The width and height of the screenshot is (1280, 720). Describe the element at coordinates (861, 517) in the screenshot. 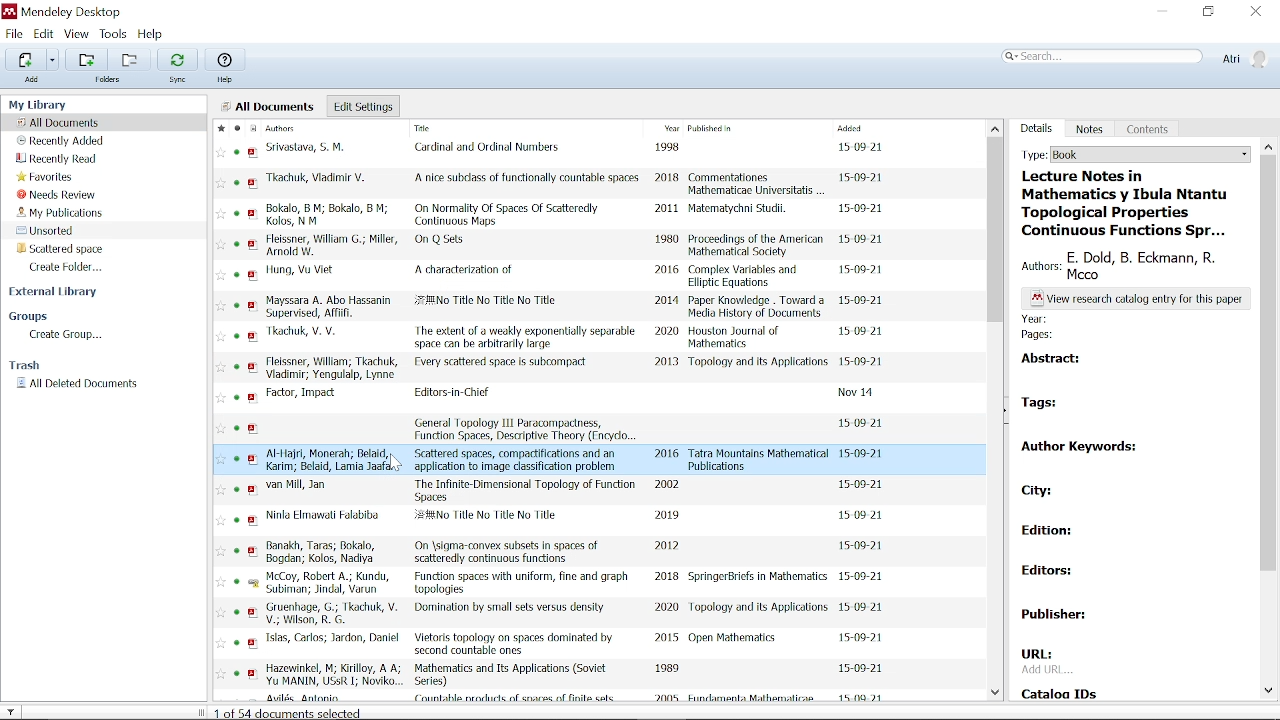

I see `date` at that location.